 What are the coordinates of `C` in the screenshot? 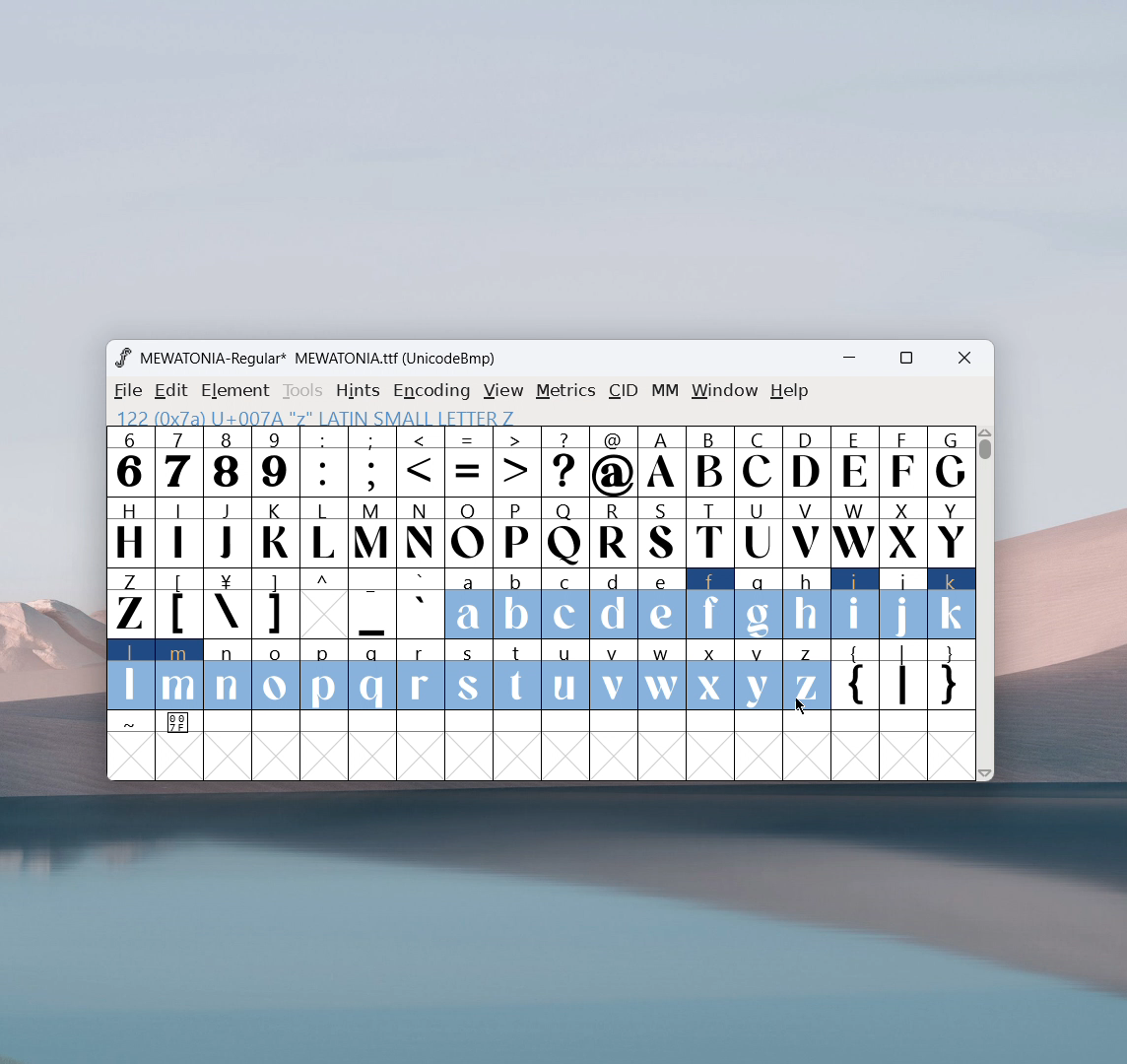 It's located at (757, 461).